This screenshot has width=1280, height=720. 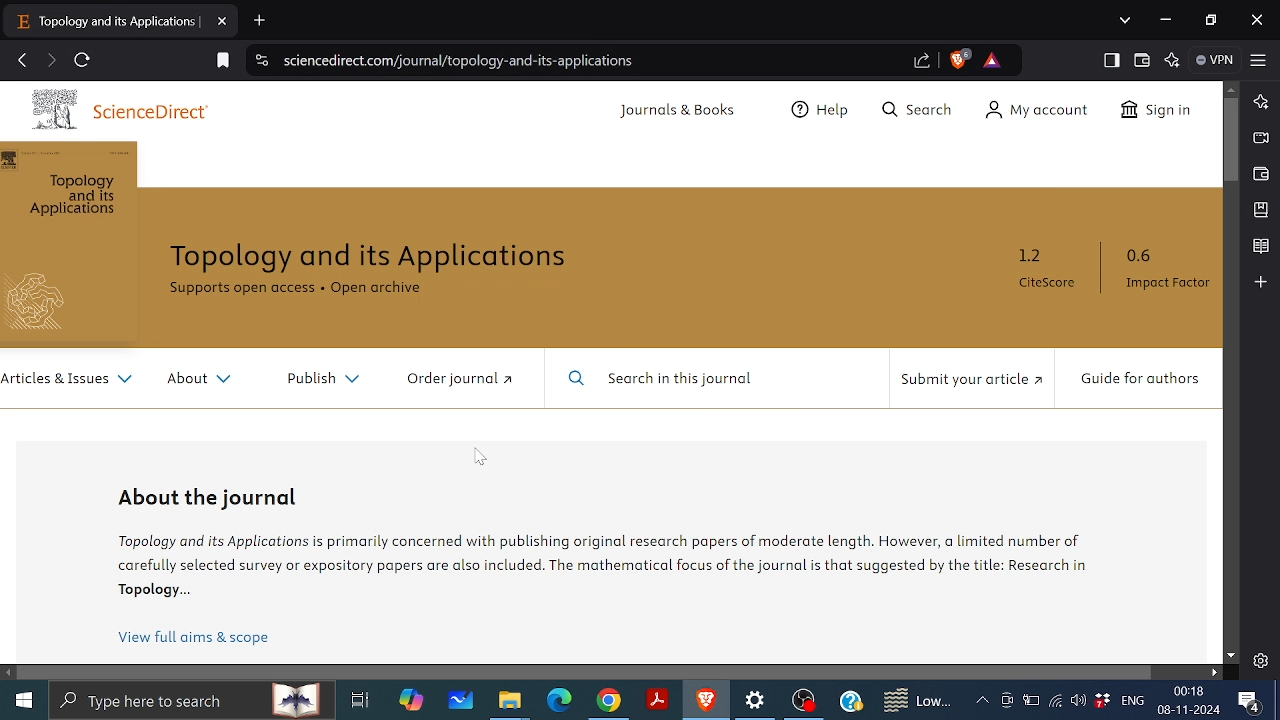 What do you see at coordinates (972, 379) in the screenshot?
I see `Submit your article` at bounding box center [972, 379].